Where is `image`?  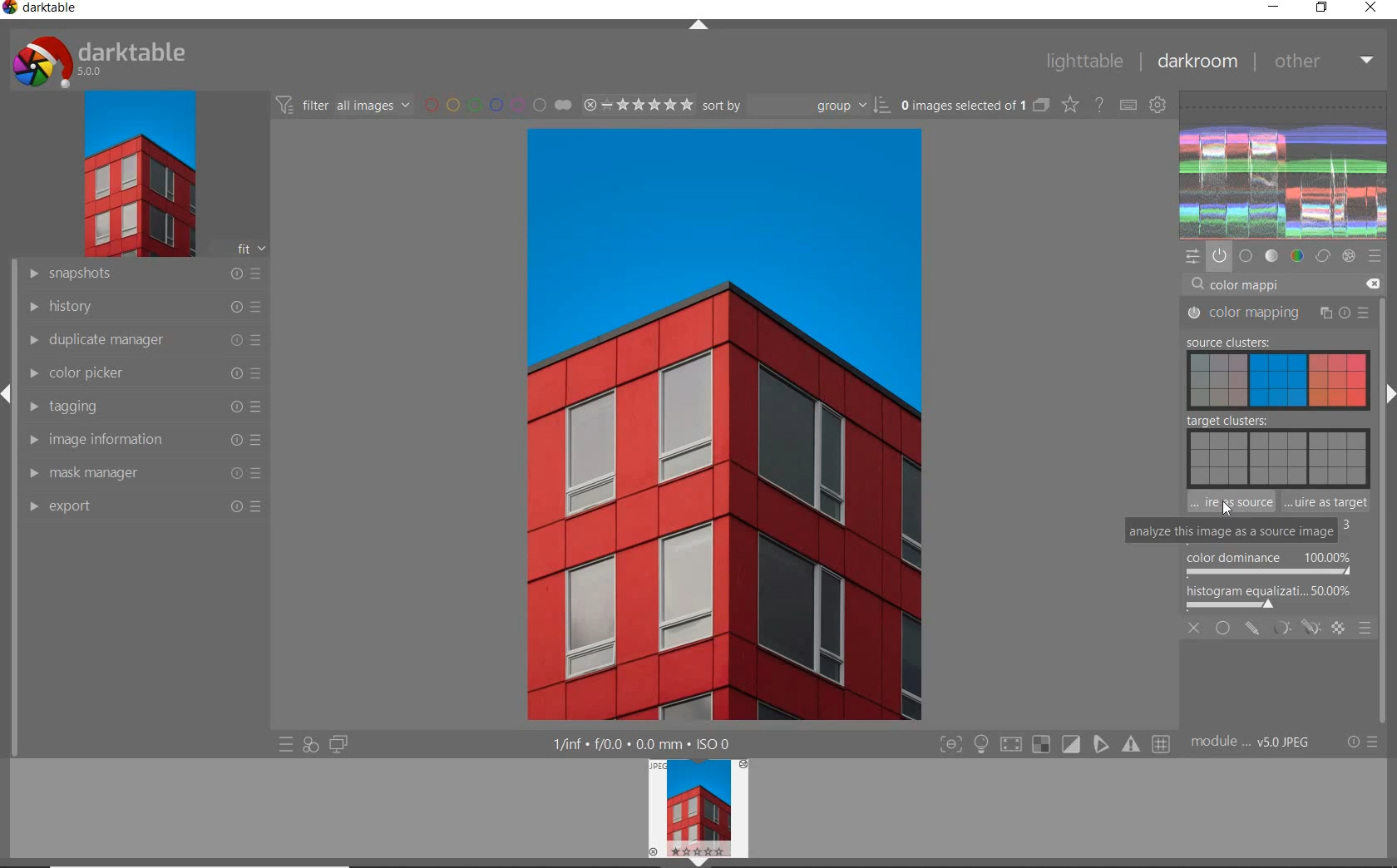
image is located at coordinates (136, 174).